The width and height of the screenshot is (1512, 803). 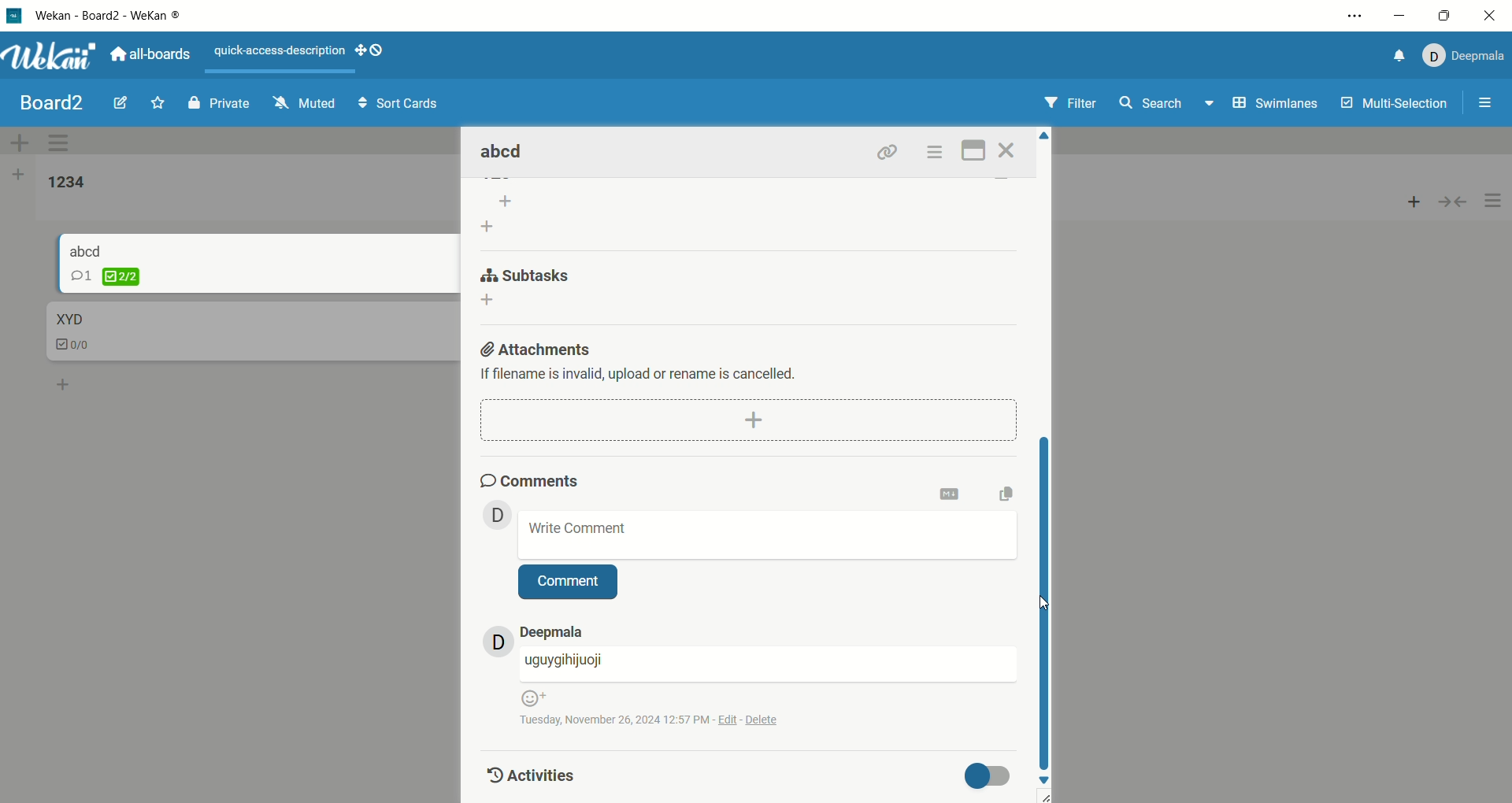 I want to click on show-desktop-drag-handles, so click(x=372, y=50).